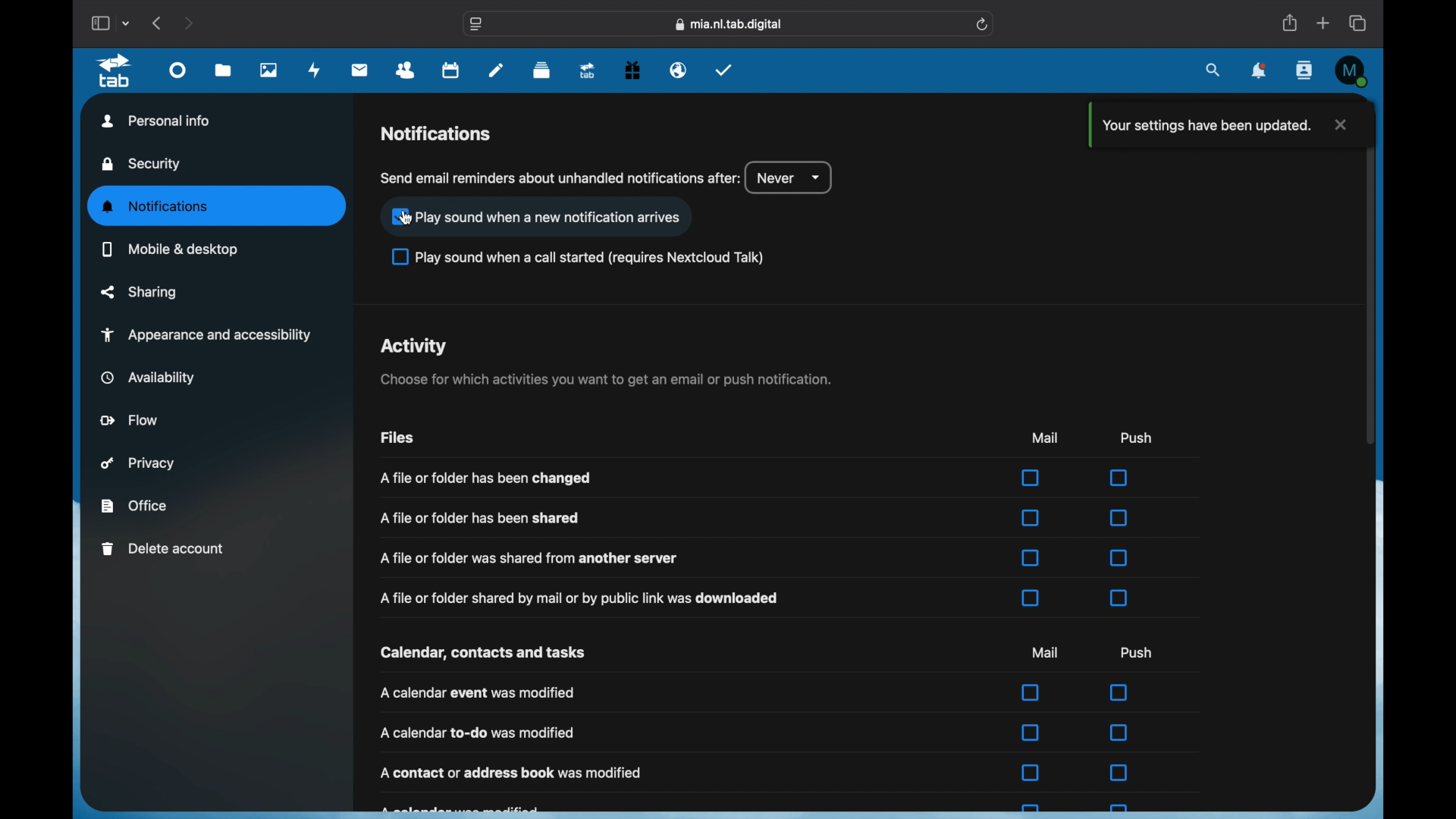 Image resolution: width=1456 pixels, height=819 pixels. What do you see at coordinates (1350, 68) in the screenshot?
I see `profile` at bounding box center [1350, 68].